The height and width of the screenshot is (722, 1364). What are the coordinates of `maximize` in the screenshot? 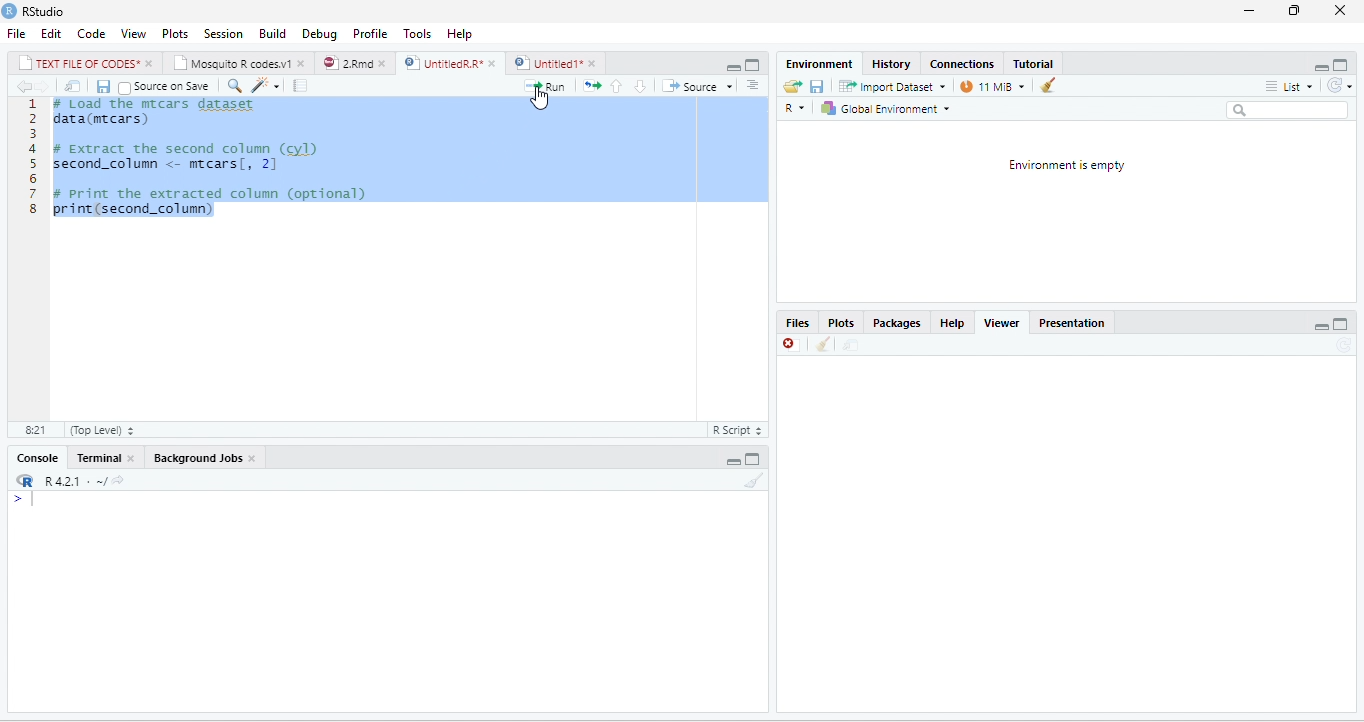 It's located at (754, 457).